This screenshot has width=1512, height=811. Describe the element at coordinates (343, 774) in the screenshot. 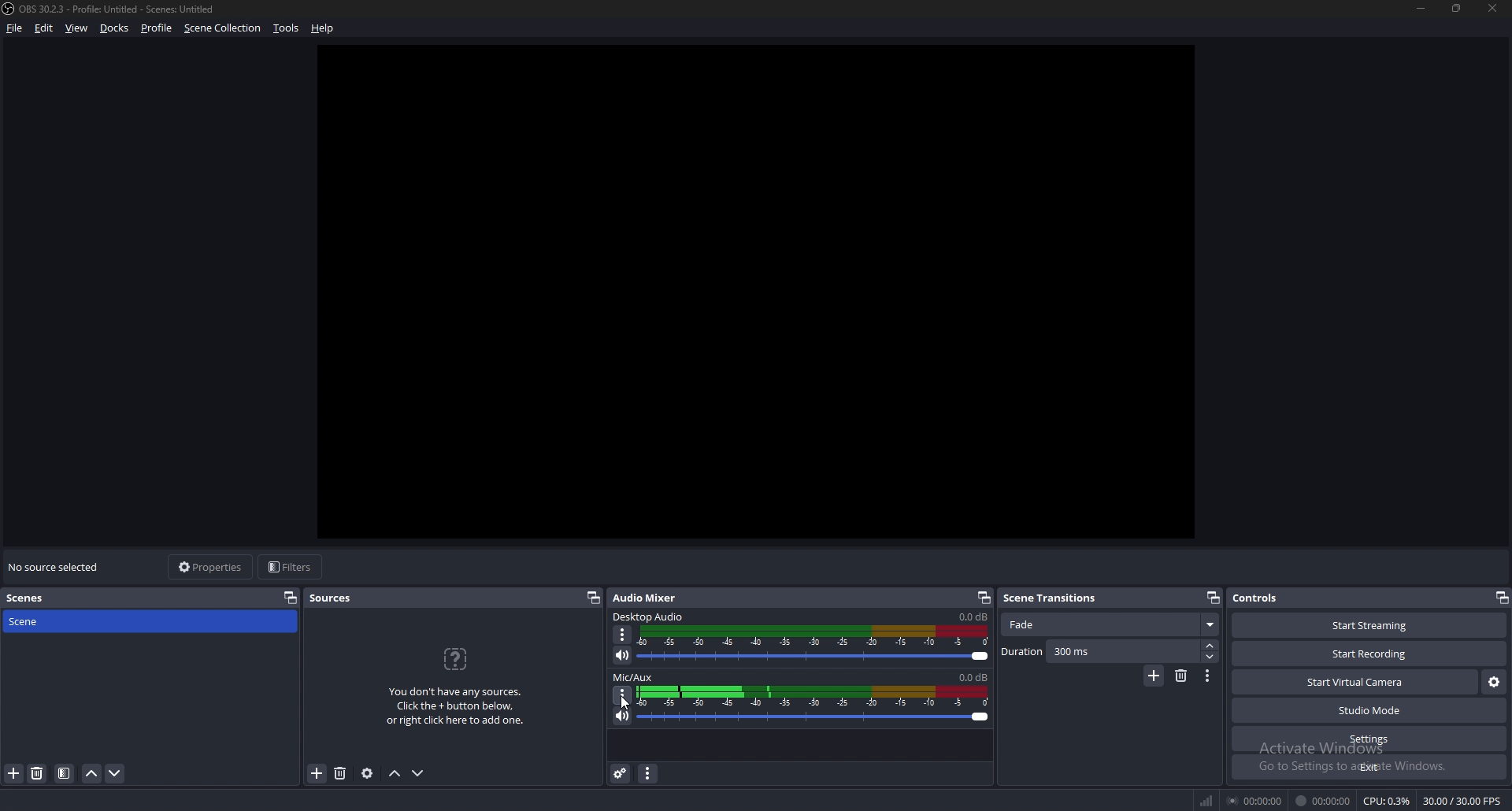

I see `add source` at that location.